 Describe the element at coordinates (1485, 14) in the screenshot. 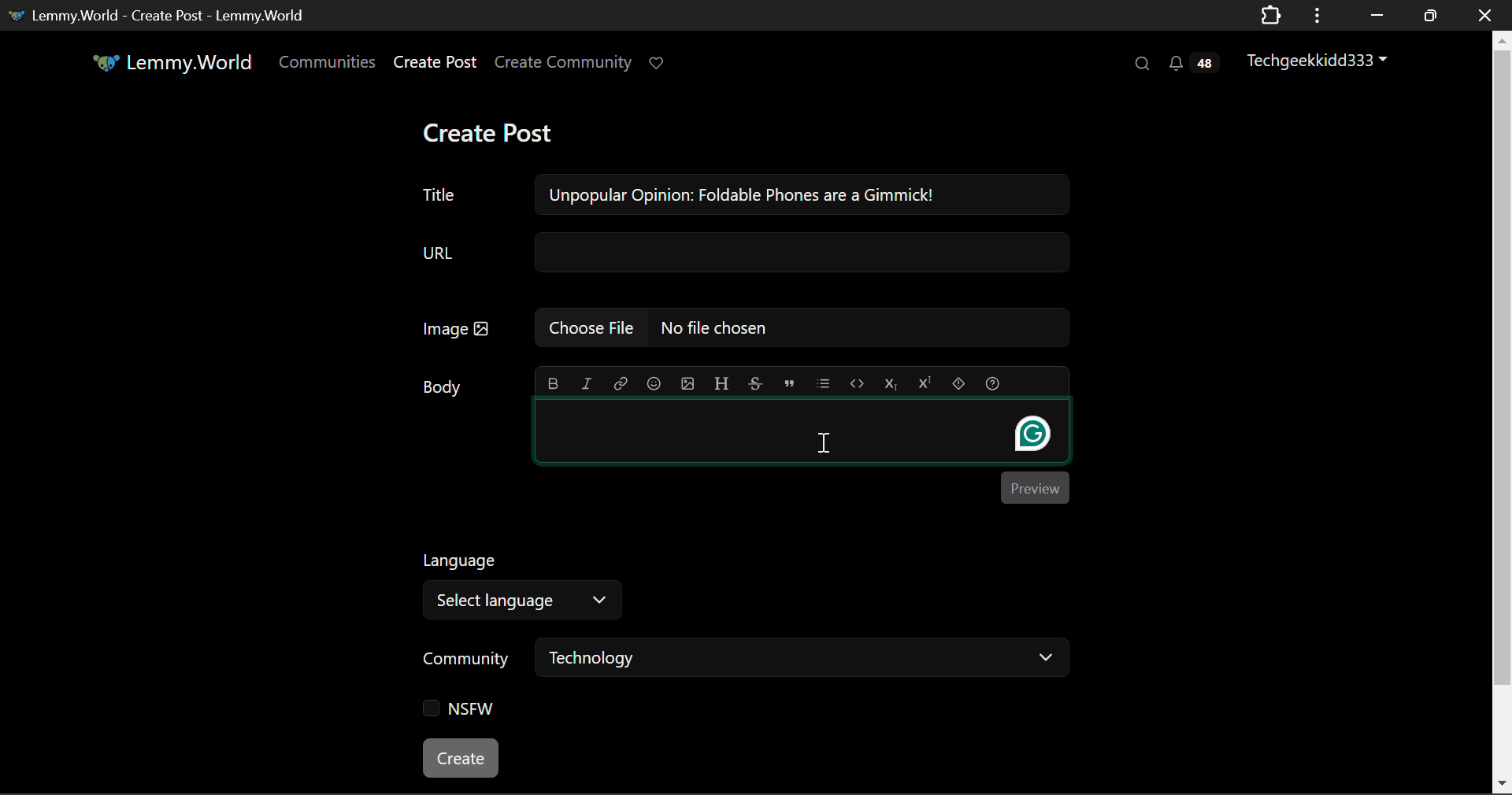

I see `Close Window` at that location.